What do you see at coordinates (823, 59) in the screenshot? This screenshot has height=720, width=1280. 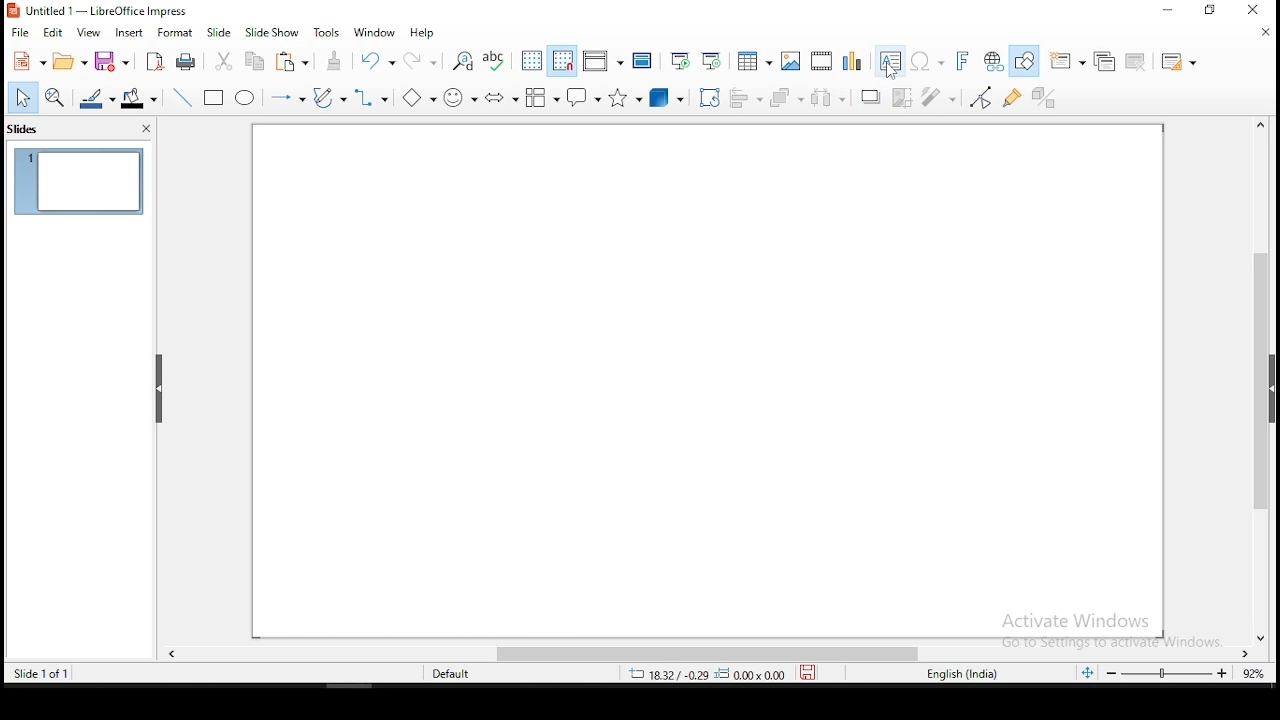 I see `insert audio or video` at bounding box center [823, 59].